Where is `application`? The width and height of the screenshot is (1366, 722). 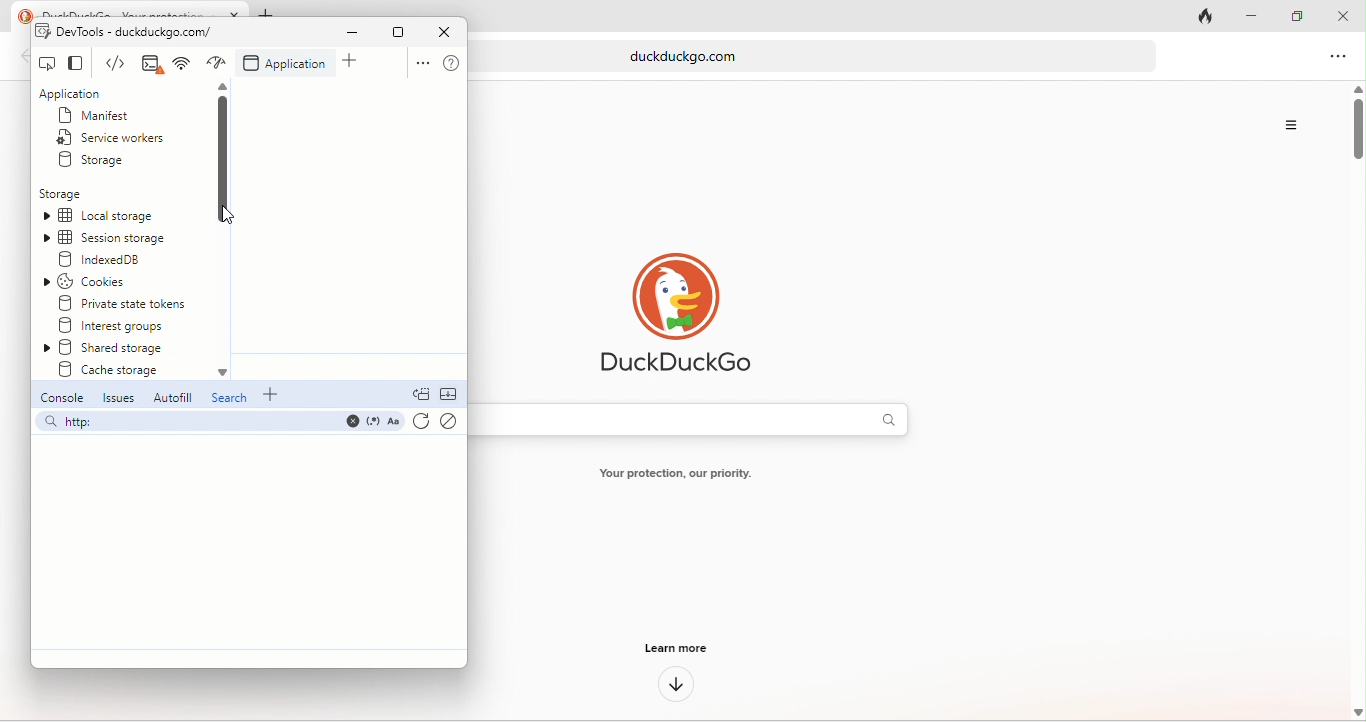
application is located at coordinates (79, 93).